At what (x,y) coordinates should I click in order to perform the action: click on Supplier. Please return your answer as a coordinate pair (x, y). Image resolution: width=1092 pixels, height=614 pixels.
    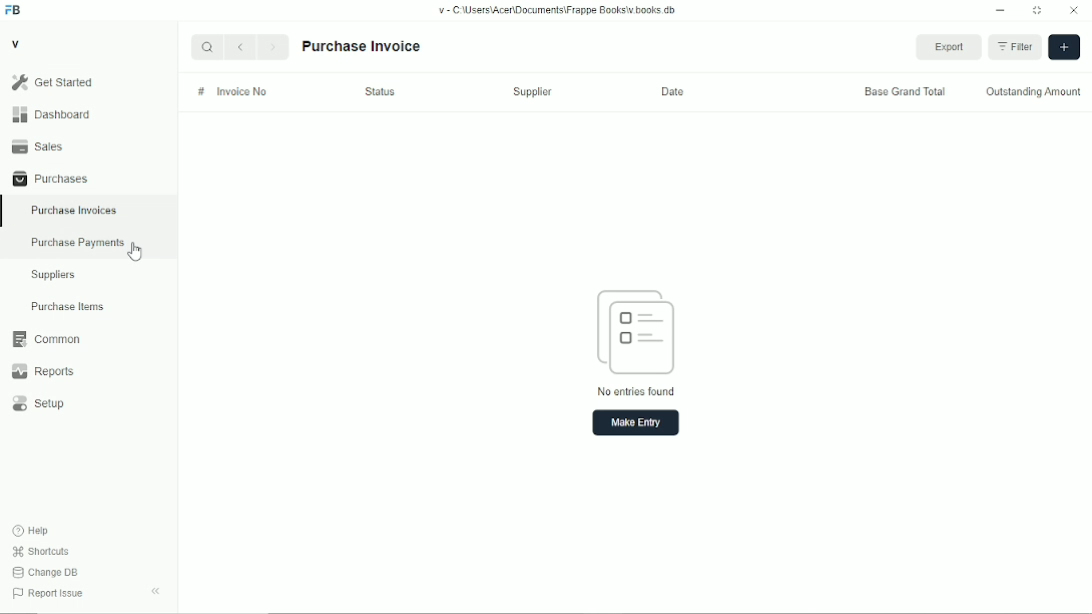
    Looking at the image, I should click on (533, 92).